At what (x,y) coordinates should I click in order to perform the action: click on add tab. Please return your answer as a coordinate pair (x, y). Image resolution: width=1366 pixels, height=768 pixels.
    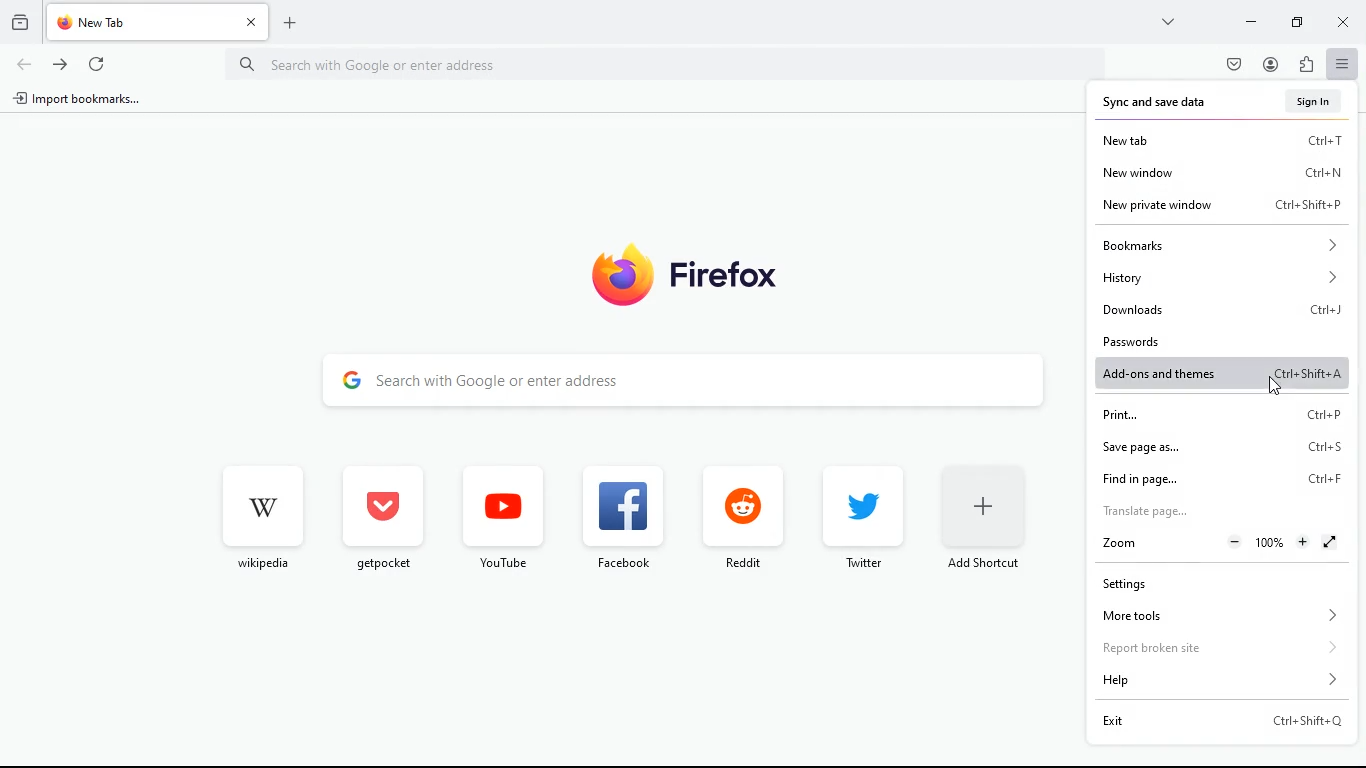
    Looking at the image, I should click on (293, 24).